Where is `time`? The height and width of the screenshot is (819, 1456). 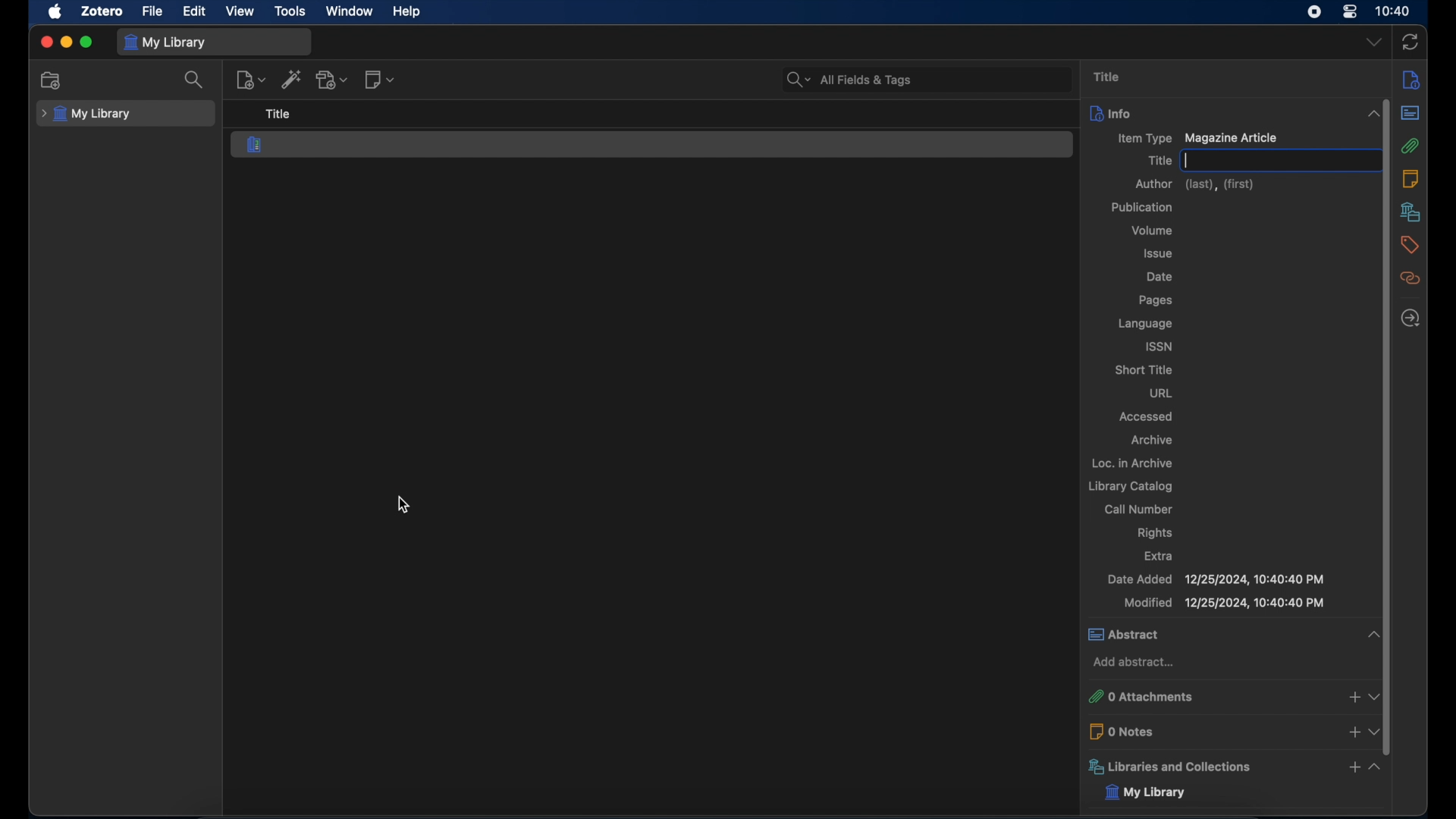 time is located at coordinates (1394, 10).